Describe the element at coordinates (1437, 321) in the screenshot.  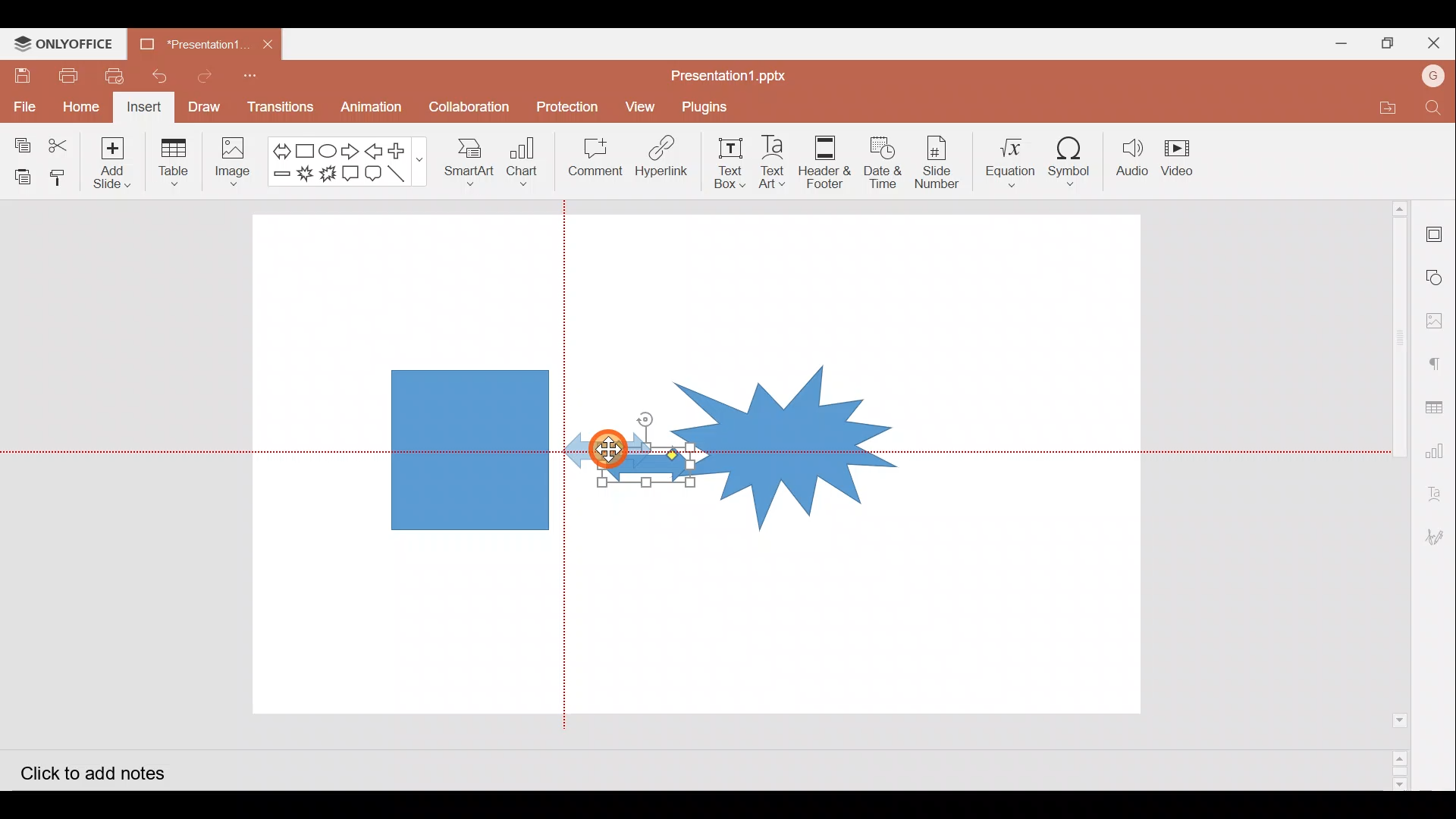
I see `Image settings` at that location.